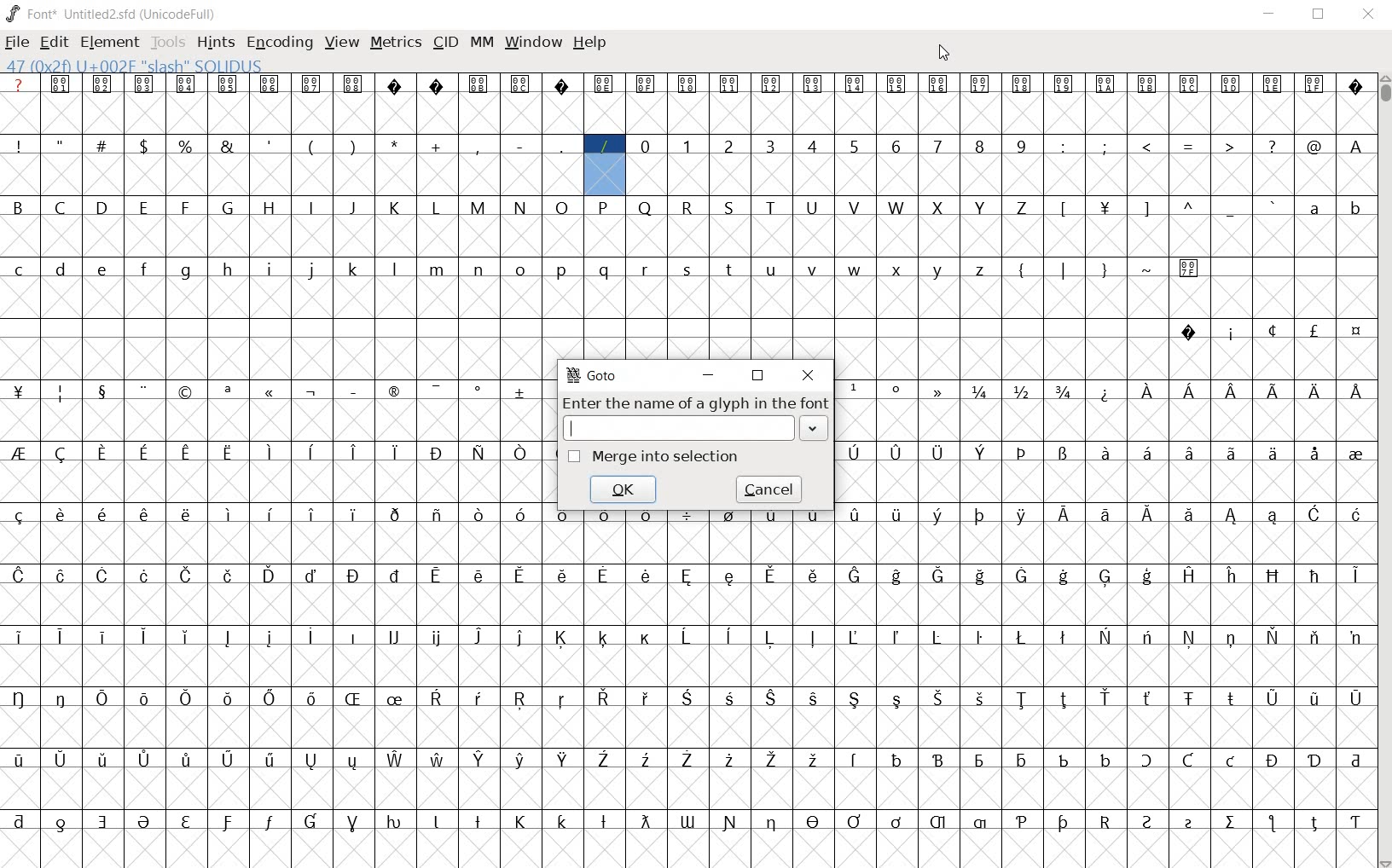 This screenshot has height=868, width=1392. I want to click on glyph, so click(939, 271).